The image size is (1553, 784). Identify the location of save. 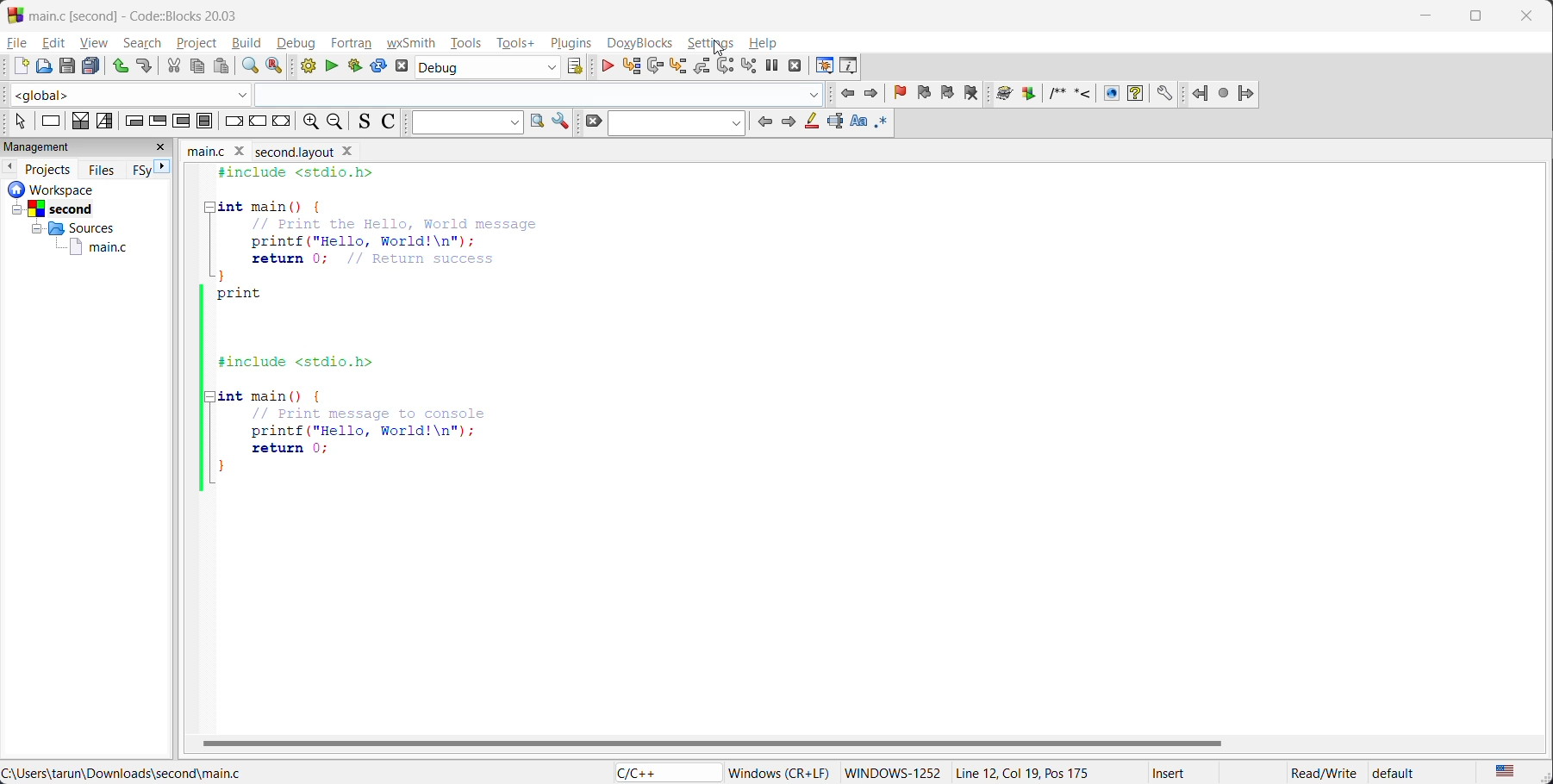
(68, 65).